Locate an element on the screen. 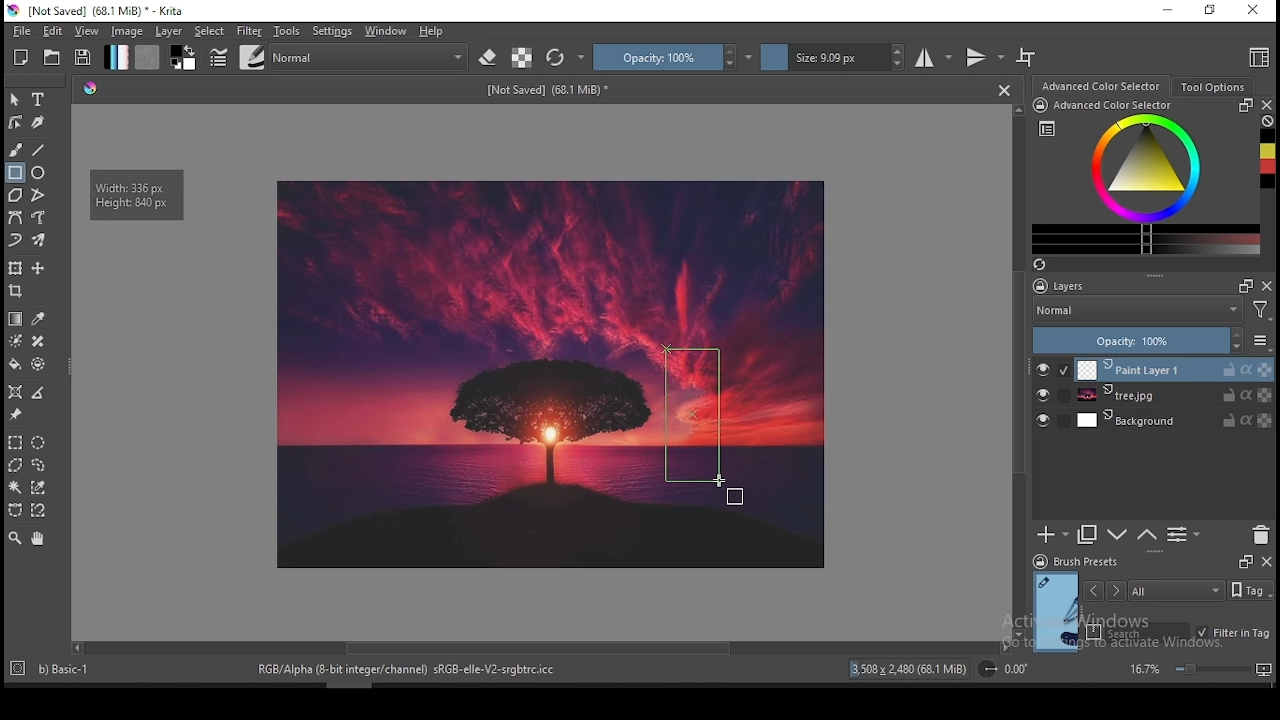 This screenshot has height=720, width=1280. active shape is located at coordinates (693, 416).